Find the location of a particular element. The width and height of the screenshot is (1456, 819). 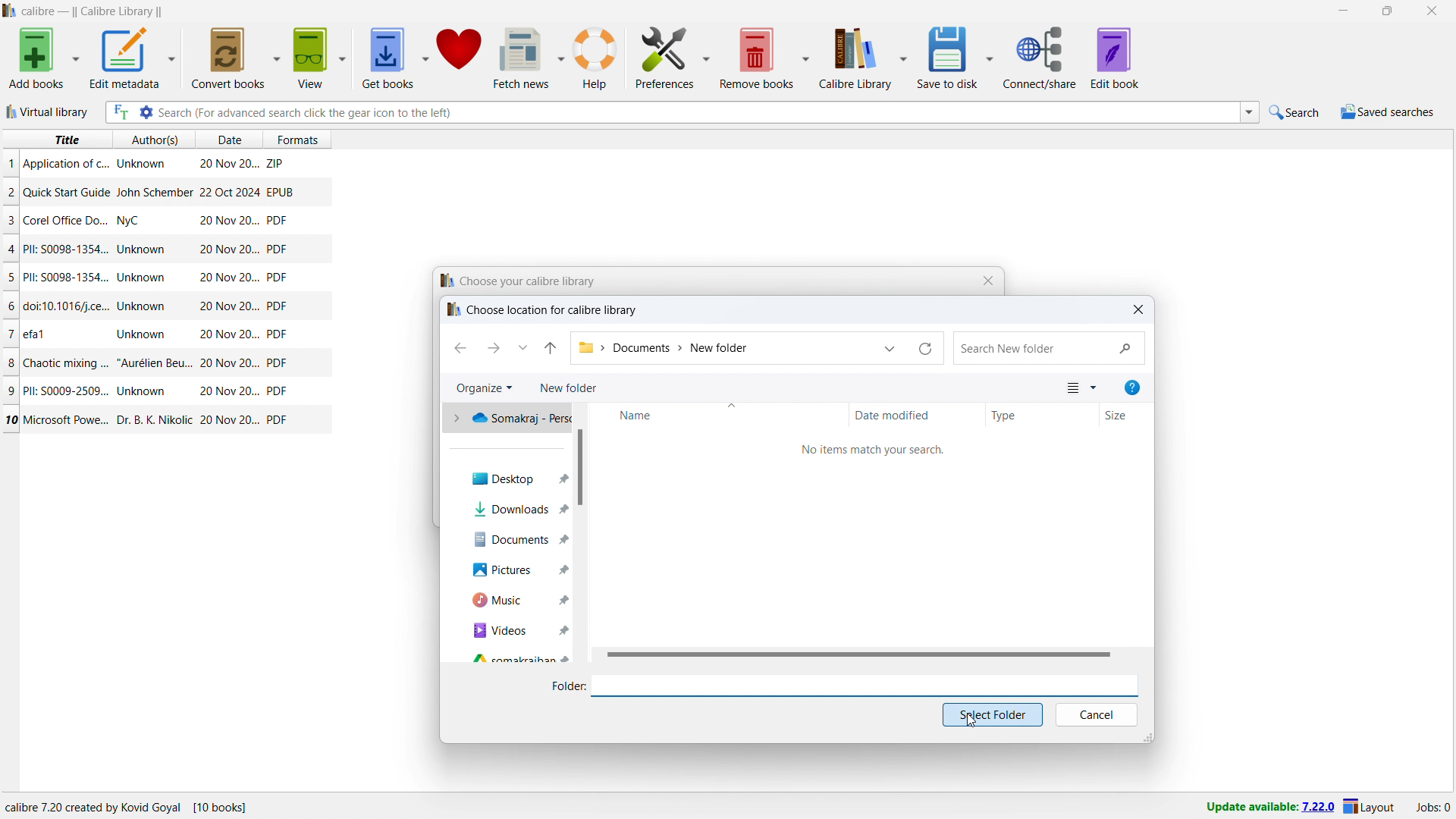

next folder is located at coordinates (494, 348).